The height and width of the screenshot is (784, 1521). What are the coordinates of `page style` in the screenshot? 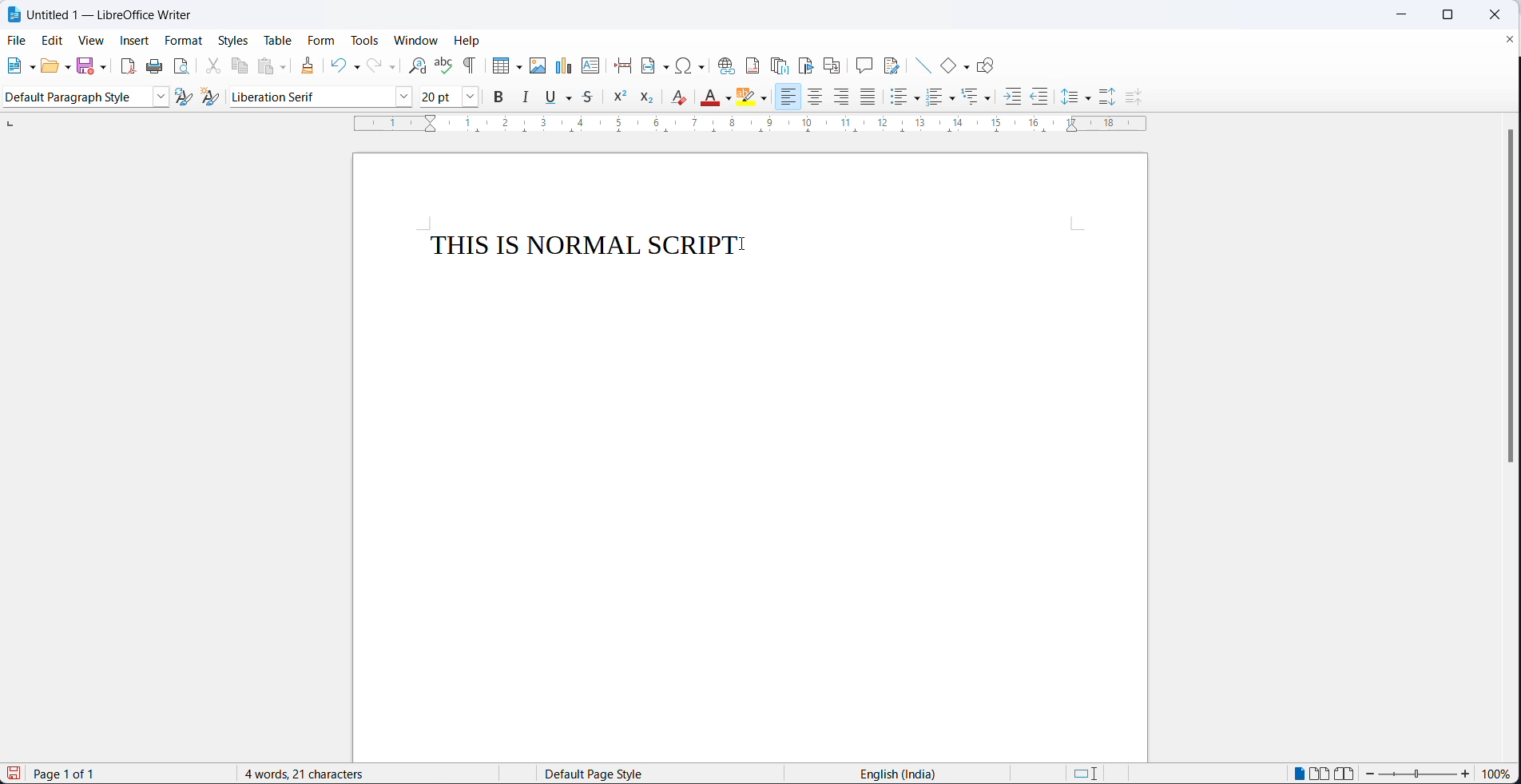 It's located at (653, 774).